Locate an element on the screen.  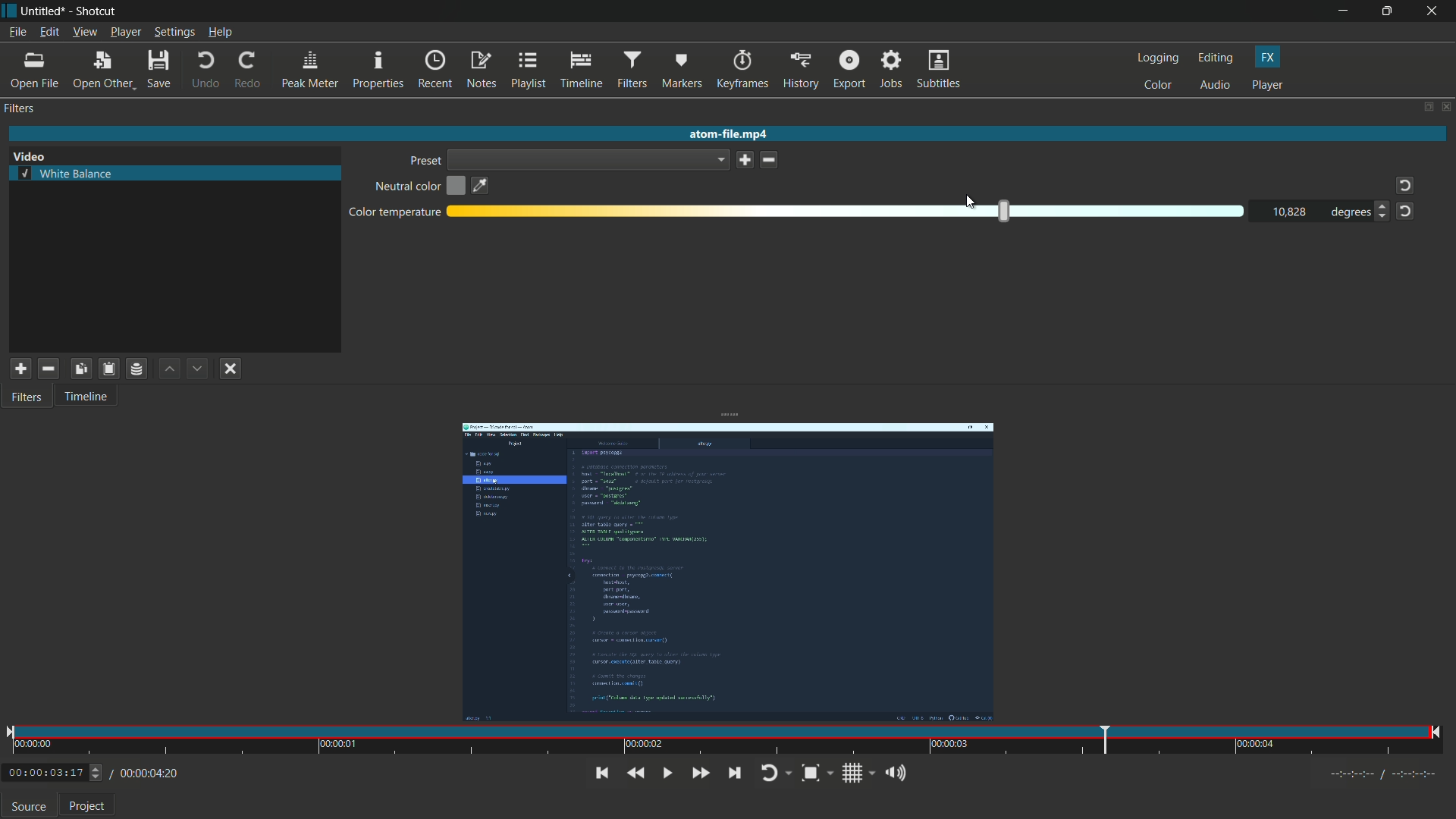
recent is located at coordinates (436, 71).